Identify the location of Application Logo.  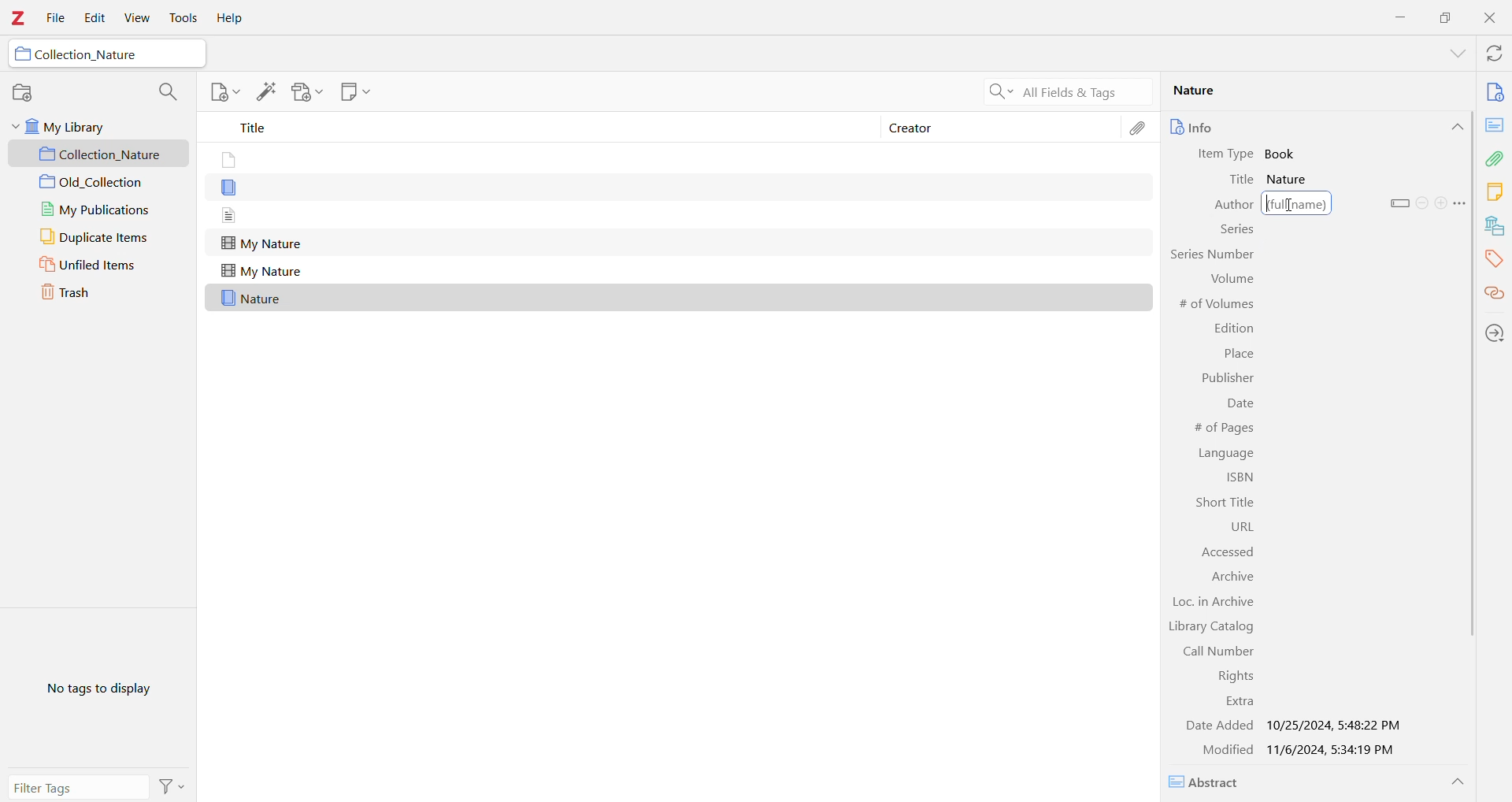
(17, 20).